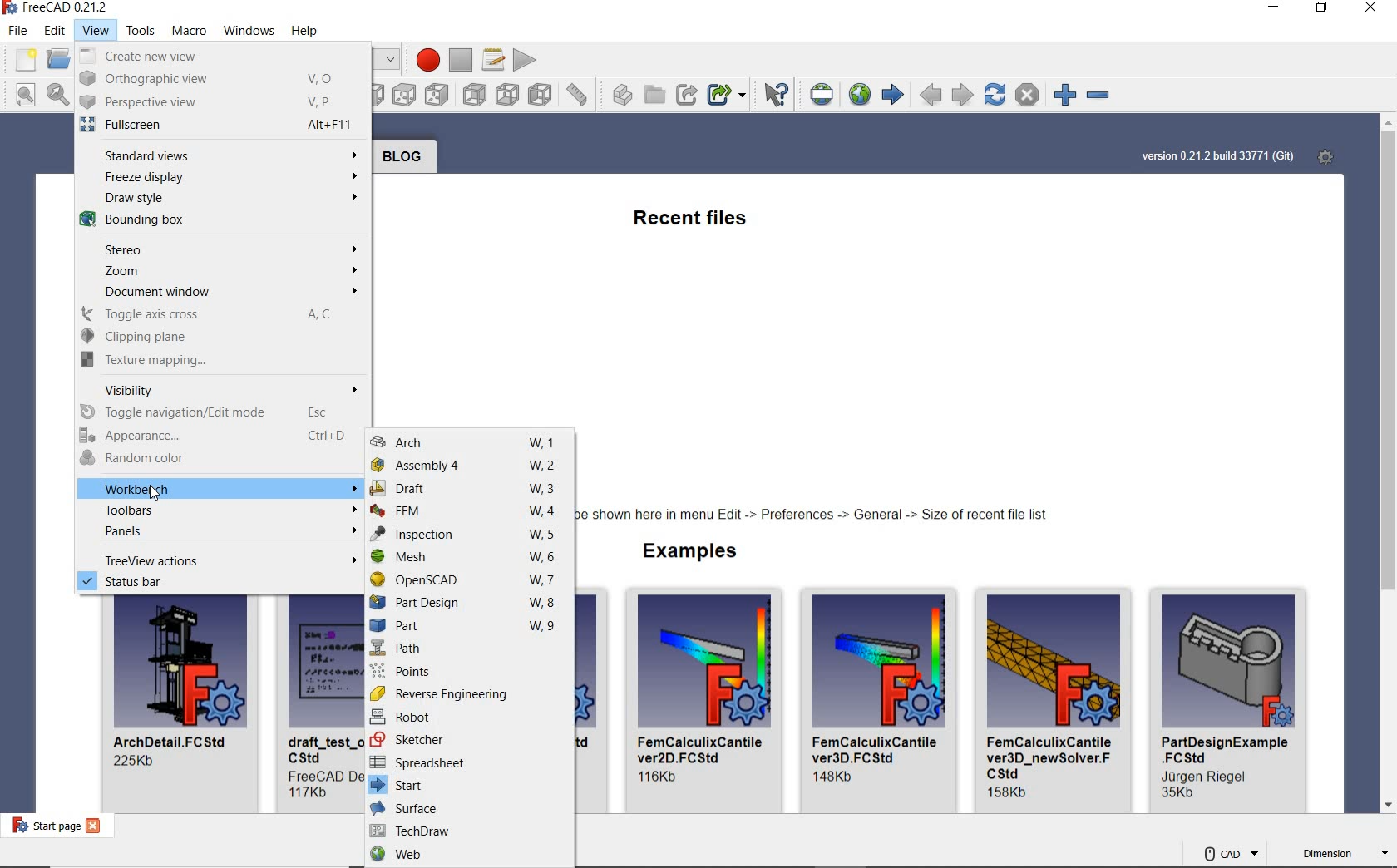 The height and width of the screenshot is (868, 1397). Describe the element at coordinates (683, 554) in the screenshot. I see `examples` at that location.